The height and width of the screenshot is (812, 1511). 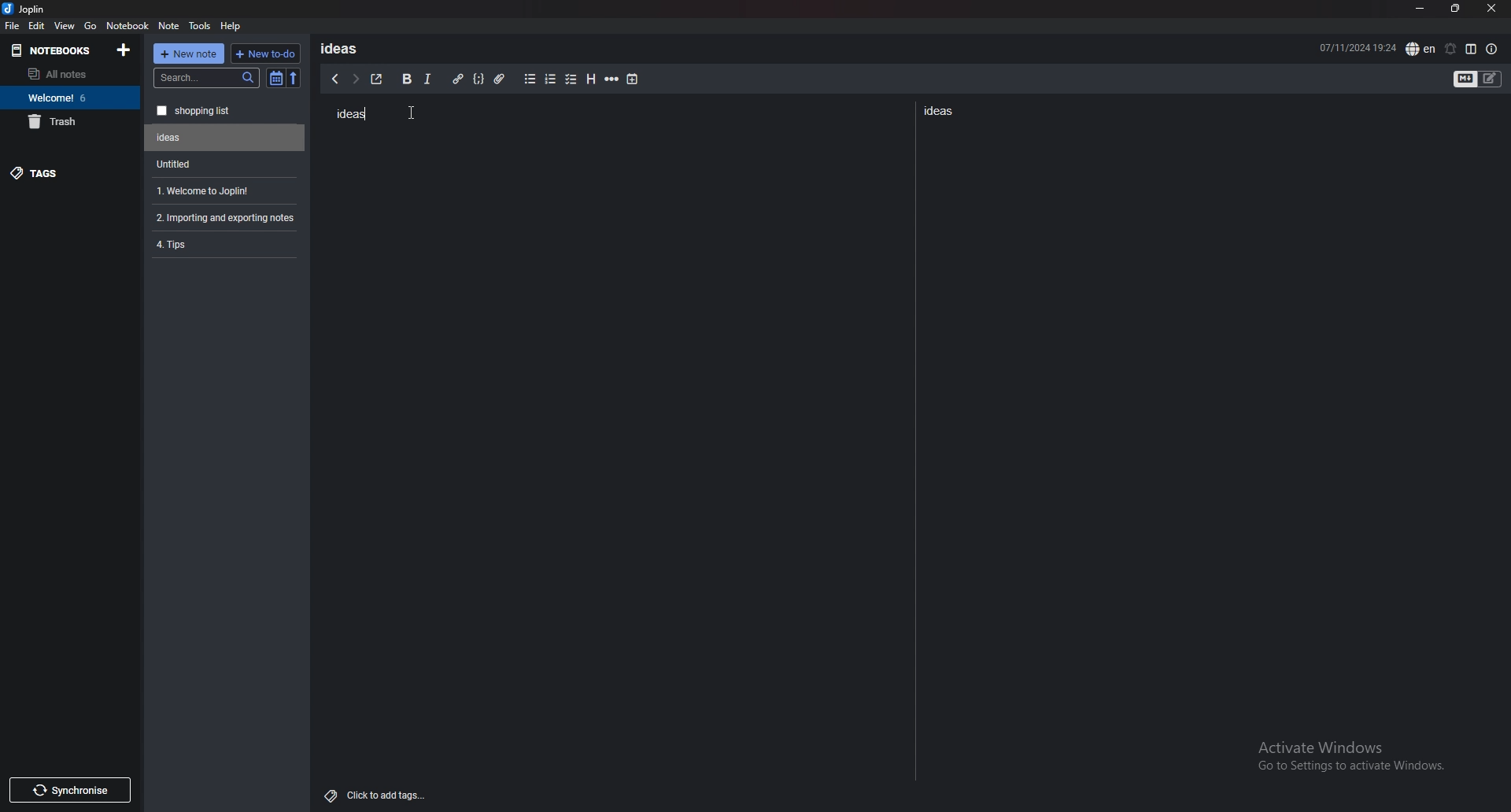 What do you see at coordinates (207, 78) in the screenshot?
I see `search bar` at bounding box center [207, 78].